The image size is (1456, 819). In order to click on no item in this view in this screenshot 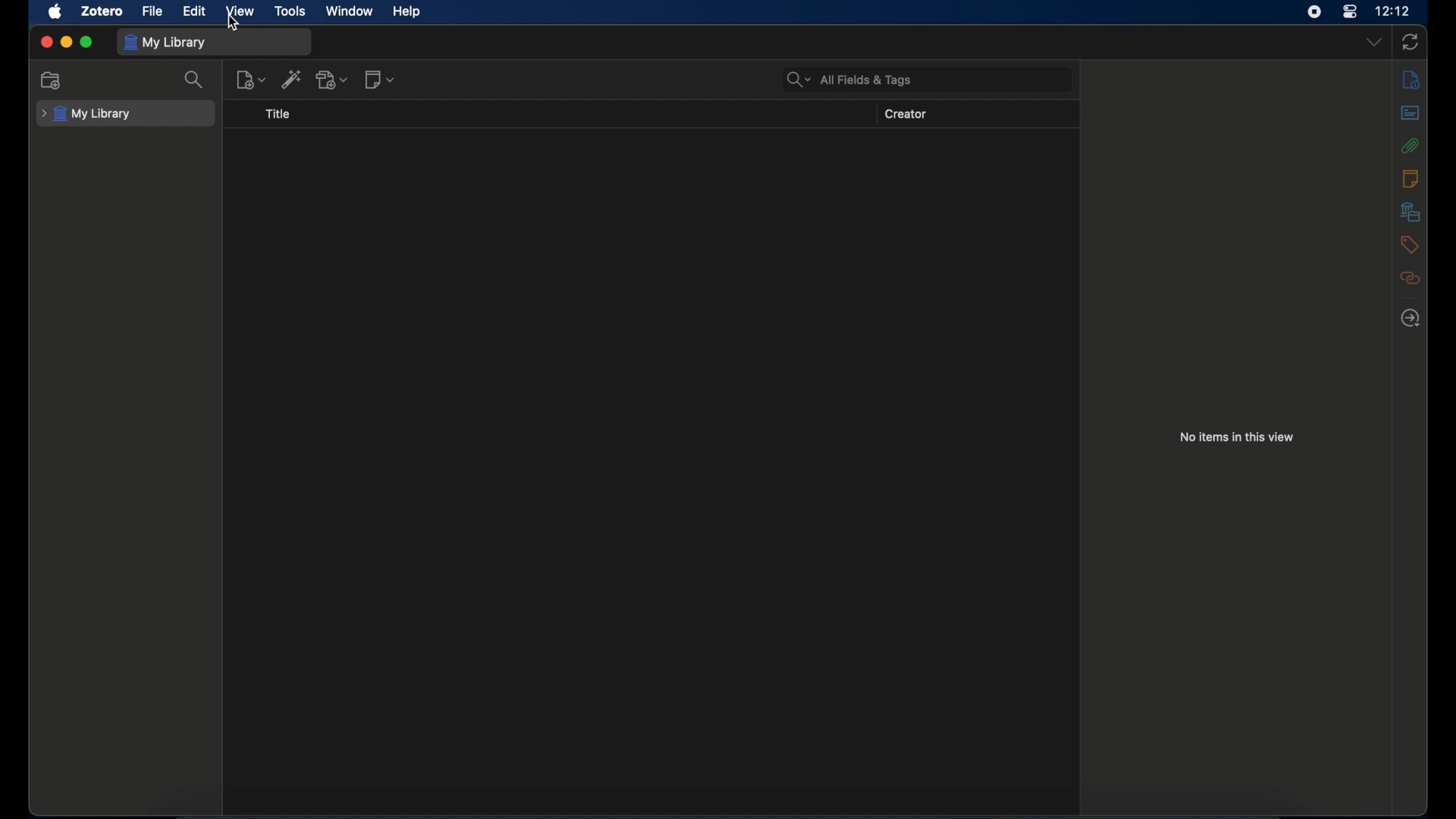, I will do `click(1238, 437)`.